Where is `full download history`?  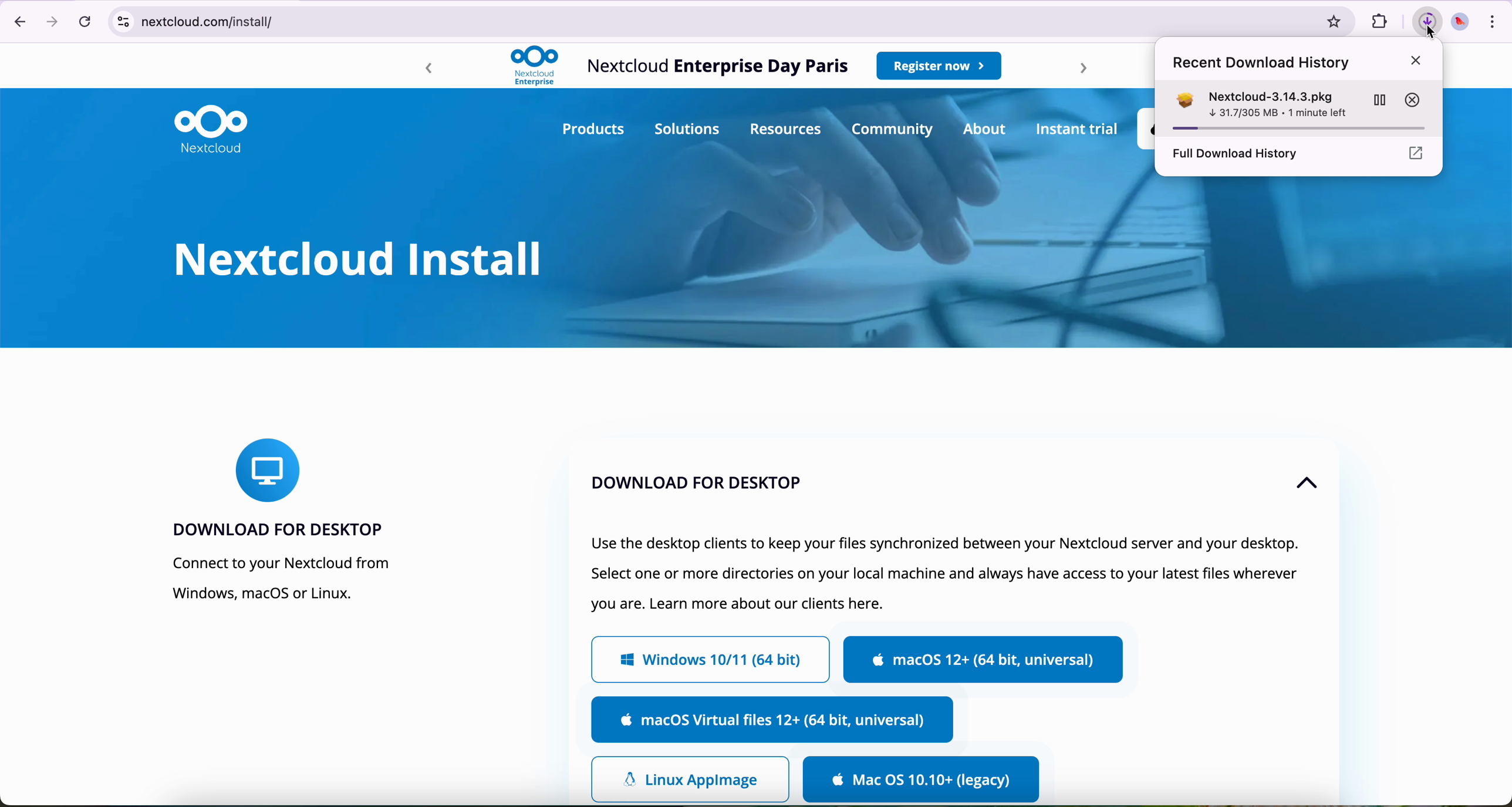
full download history is located at coordinates (1300, 154).